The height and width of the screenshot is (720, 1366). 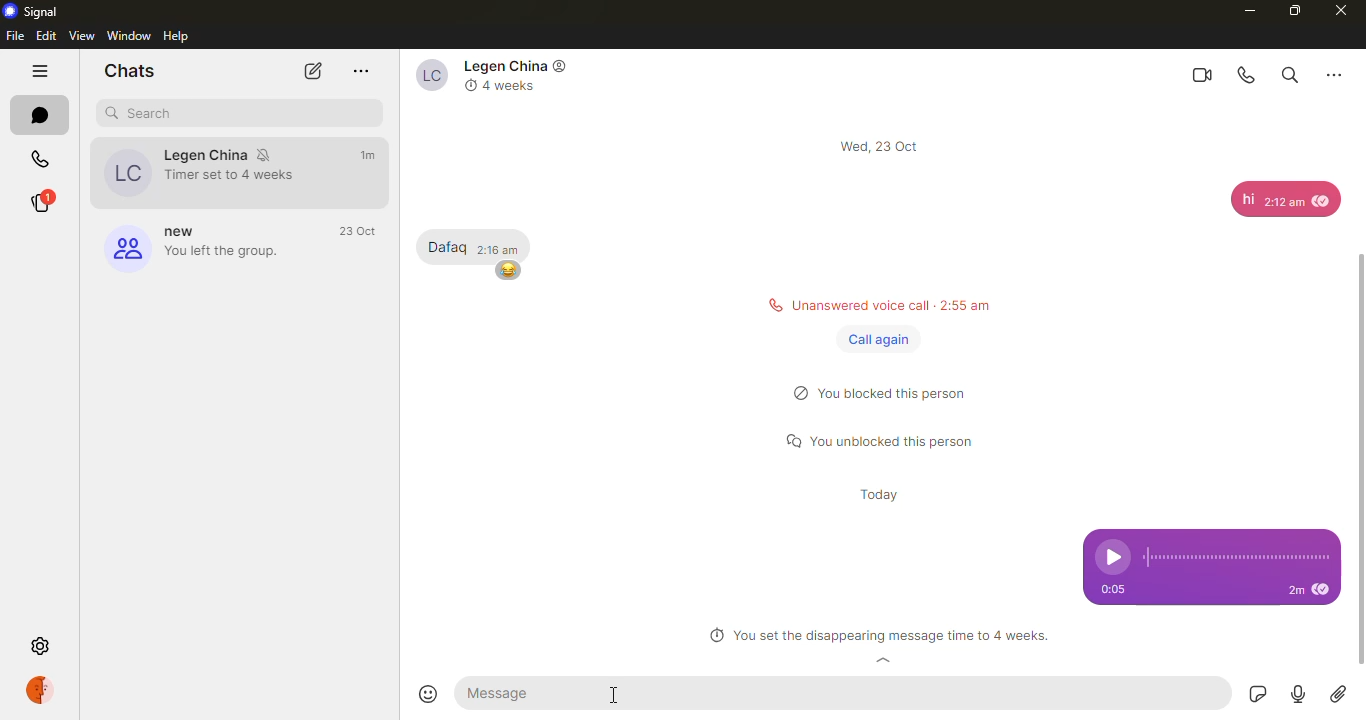 I want to click on happy emoji, so click(x=508, y=270).